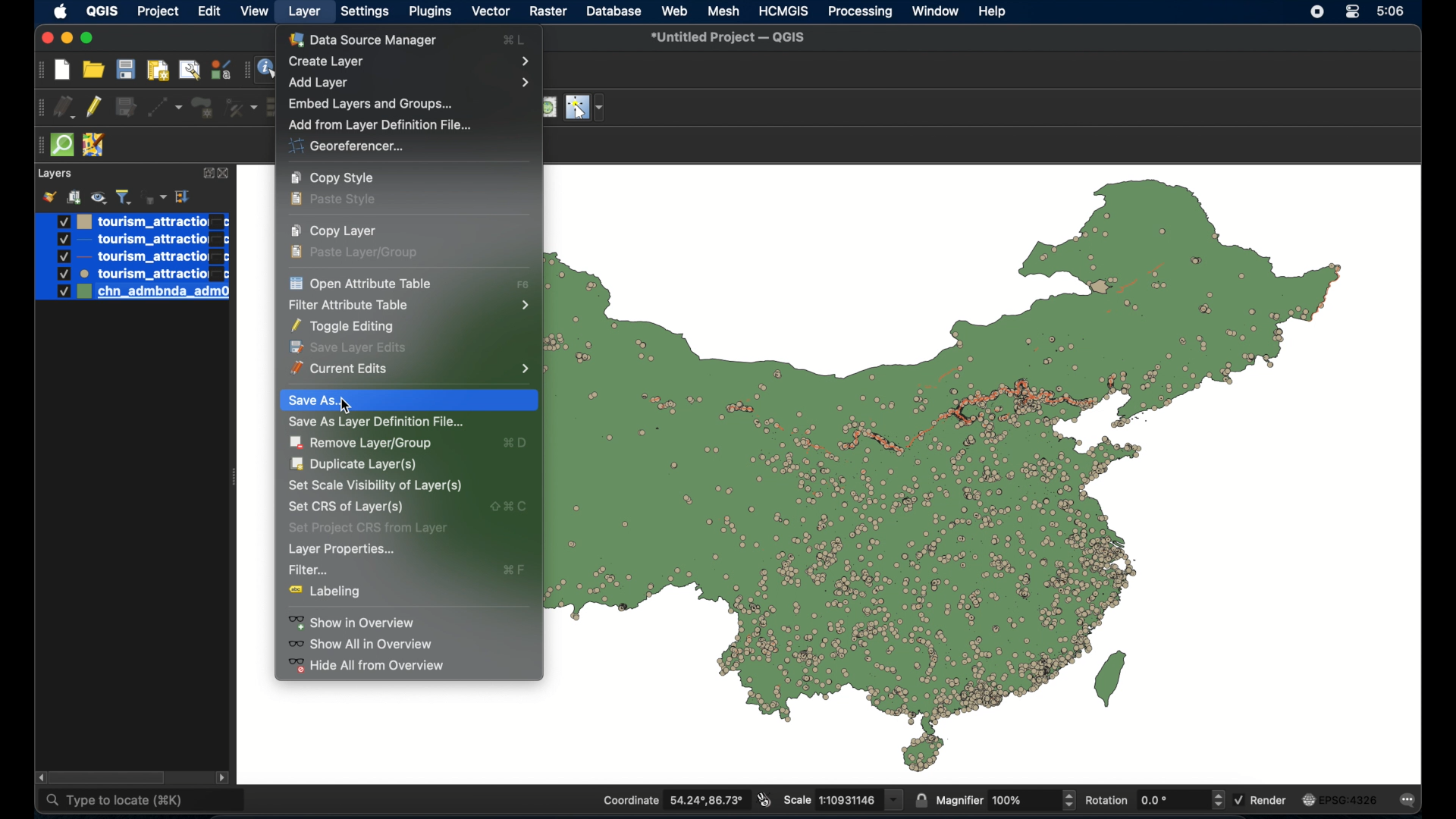 This screenshot has width=1456, height=819. I want to click on HCMGIS, so click(785, 11).